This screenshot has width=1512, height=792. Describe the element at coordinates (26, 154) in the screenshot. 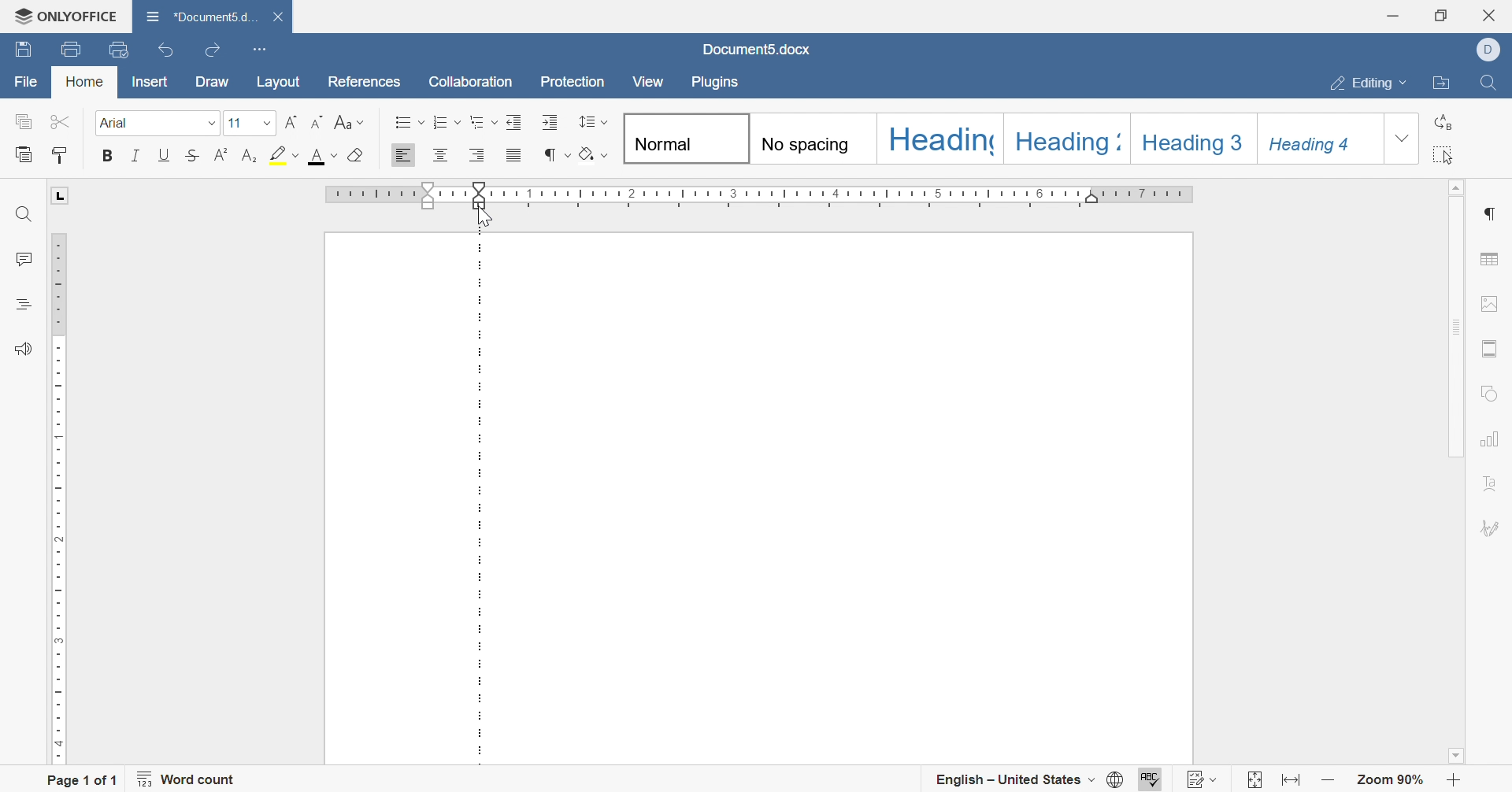

I see `paste` at that location.